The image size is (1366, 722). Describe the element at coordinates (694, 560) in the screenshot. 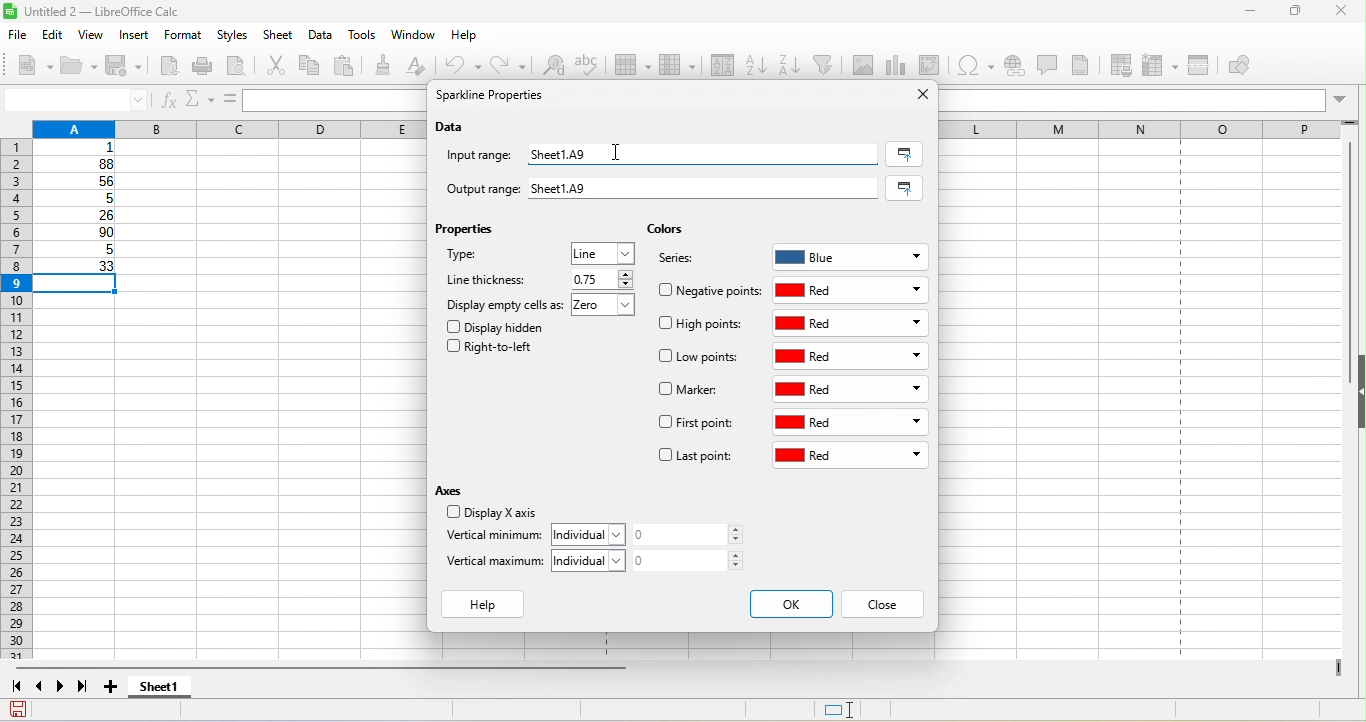

I see `0` at that location.